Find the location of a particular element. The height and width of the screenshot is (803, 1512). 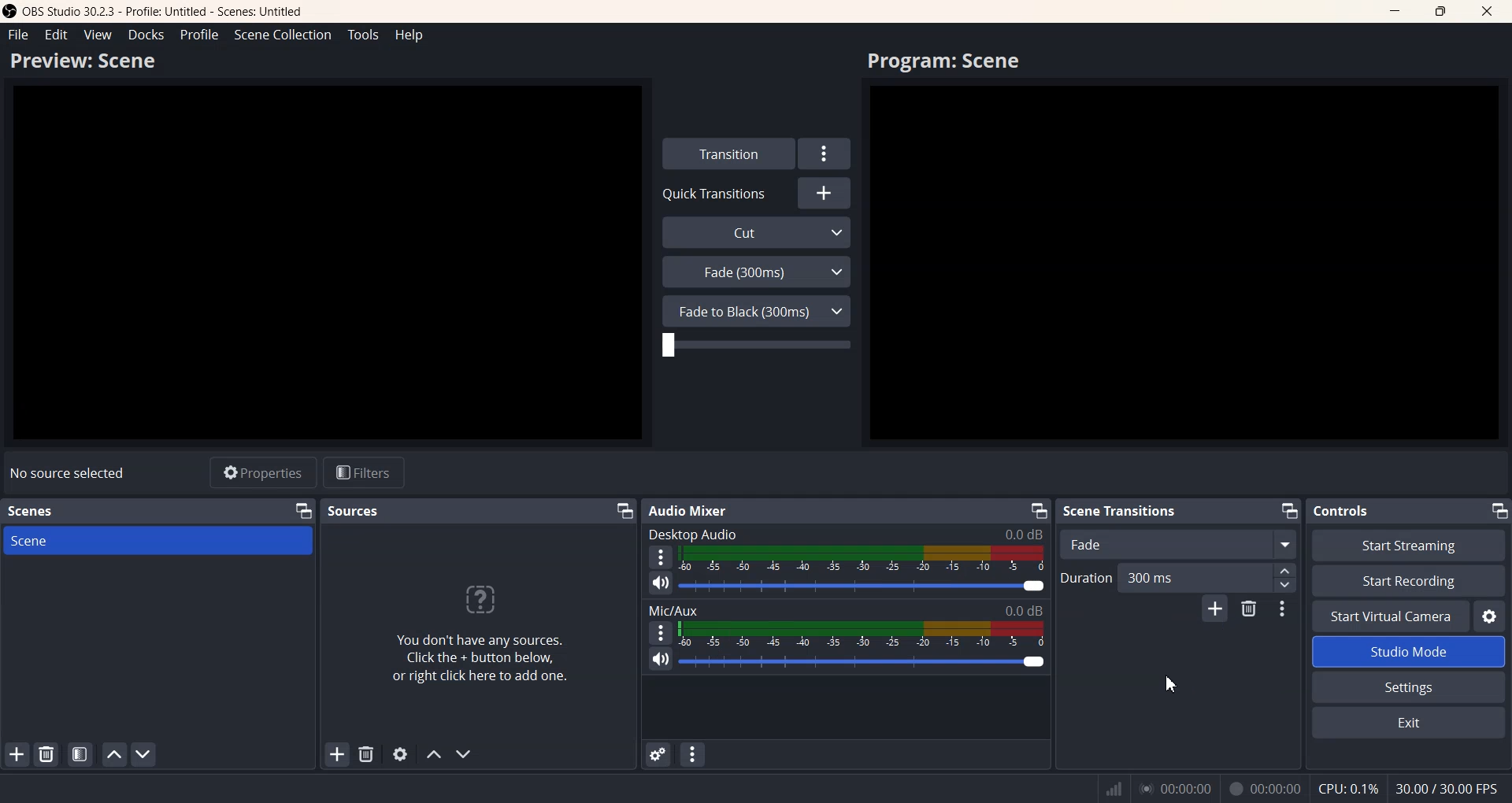

Remove selected batch is located at coordinates (47, 753).